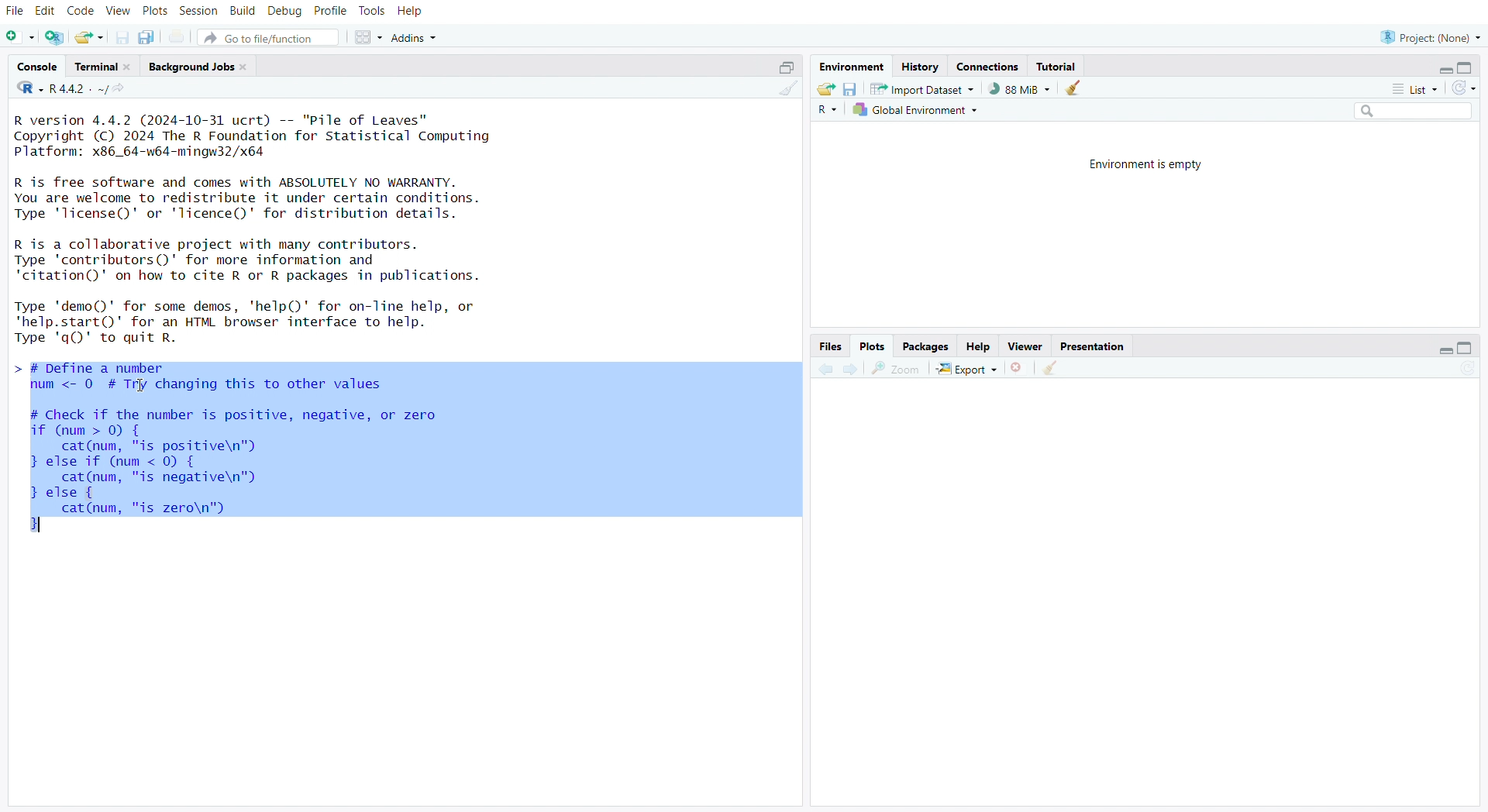 This screenshot has width=1488, height=812. Describe the element at coordinates (920, 67) in the screenshot. I see `history` at that location.